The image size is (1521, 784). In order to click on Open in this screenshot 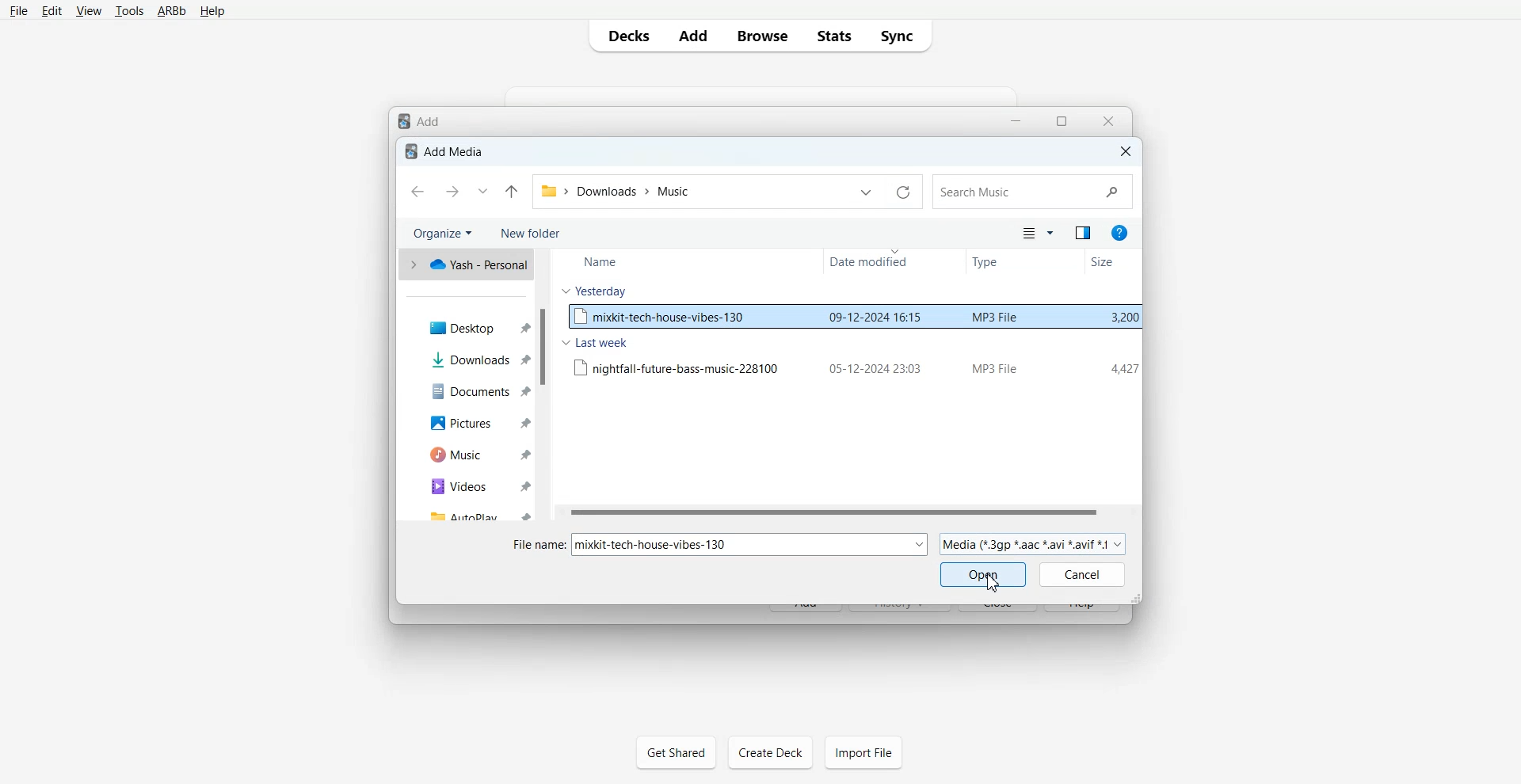, I will do `click(983, 574)`.